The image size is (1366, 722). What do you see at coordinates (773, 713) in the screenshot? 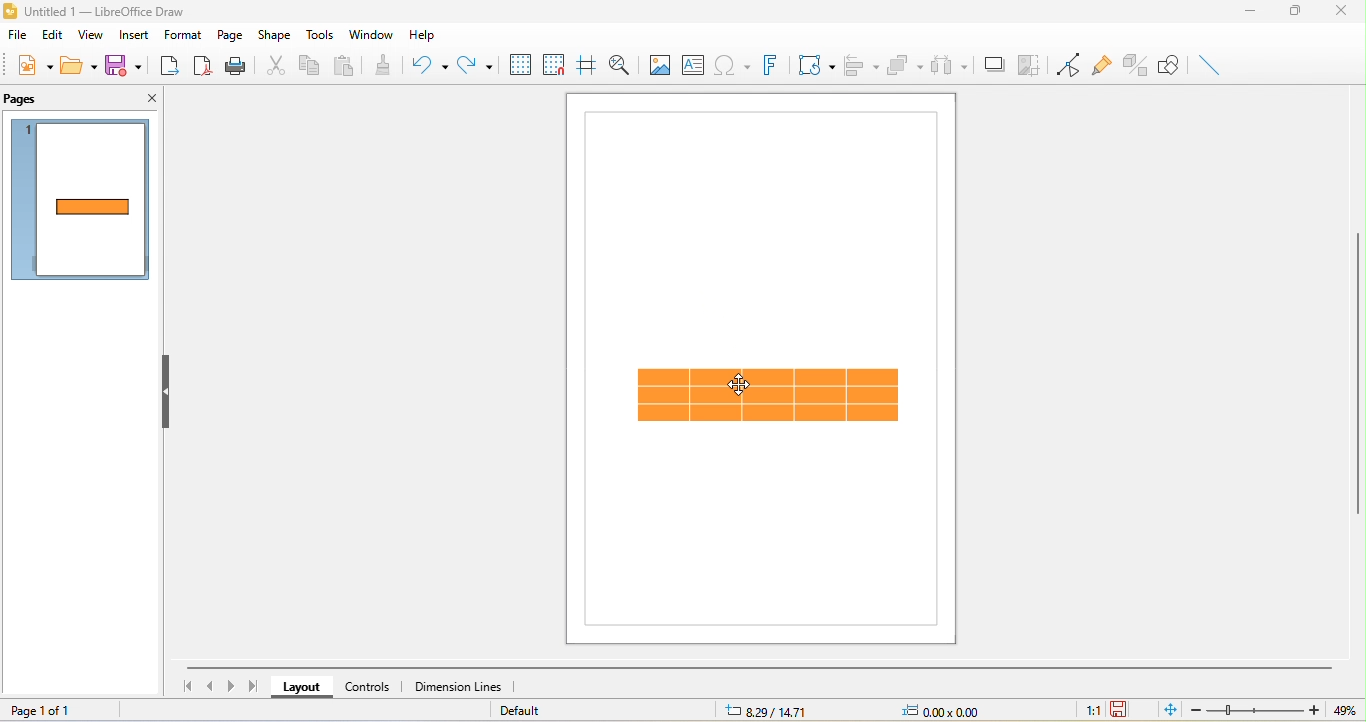
I see `8.29/14.71` at bounding box center [773, 713].